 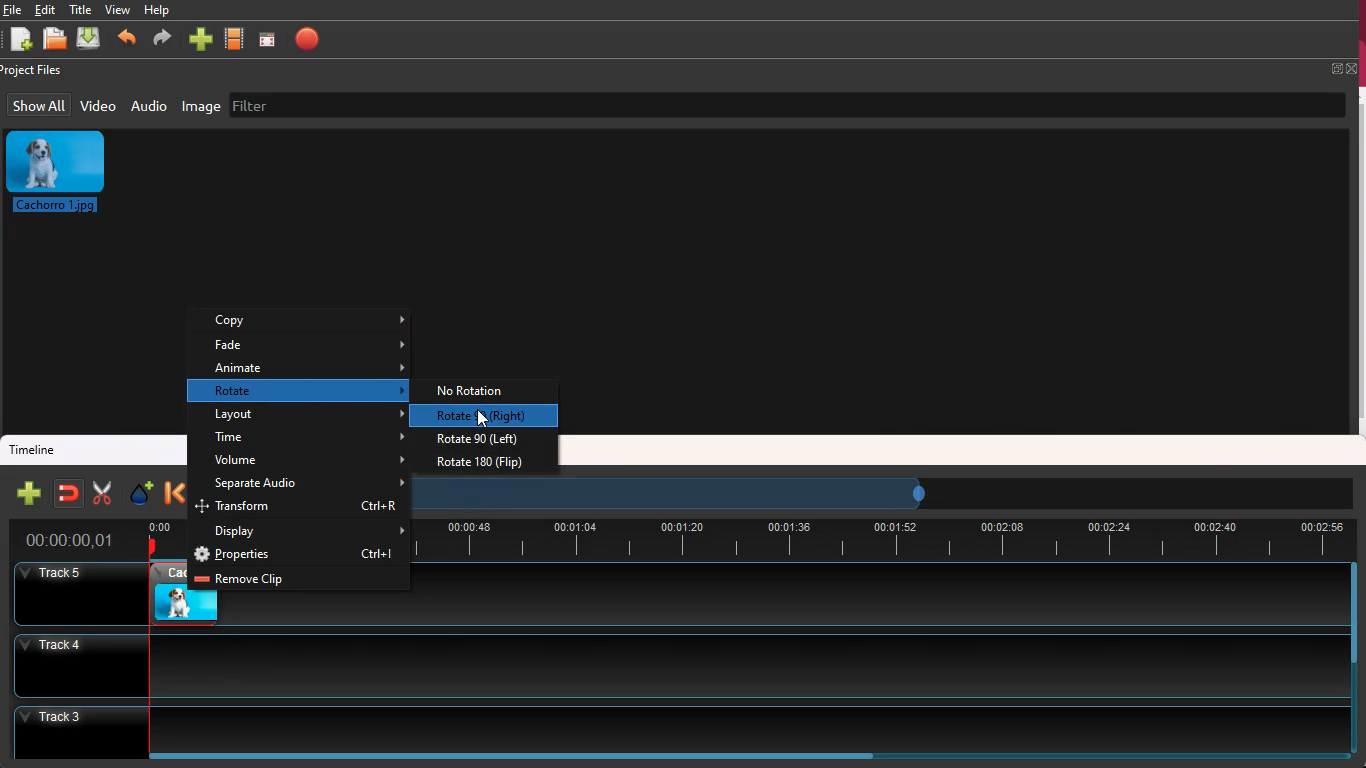 What do you see at coordinates (38, 451) in the screenshot?
I see `timeline` at bounding box center [38, 451].